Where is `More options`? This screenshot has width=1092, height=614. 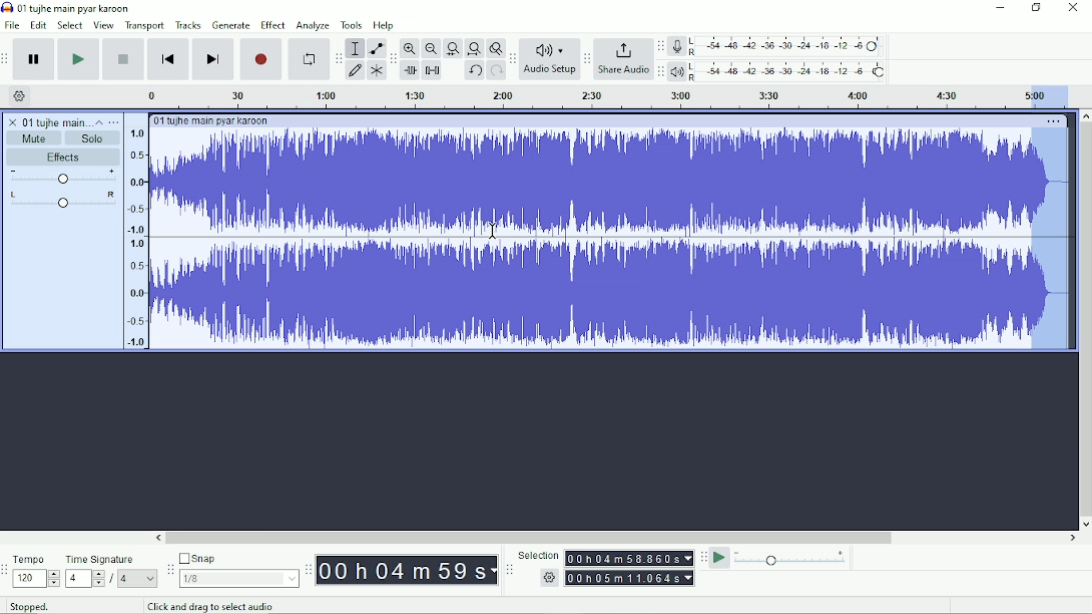 More options is located at coordinates (1054, 121).